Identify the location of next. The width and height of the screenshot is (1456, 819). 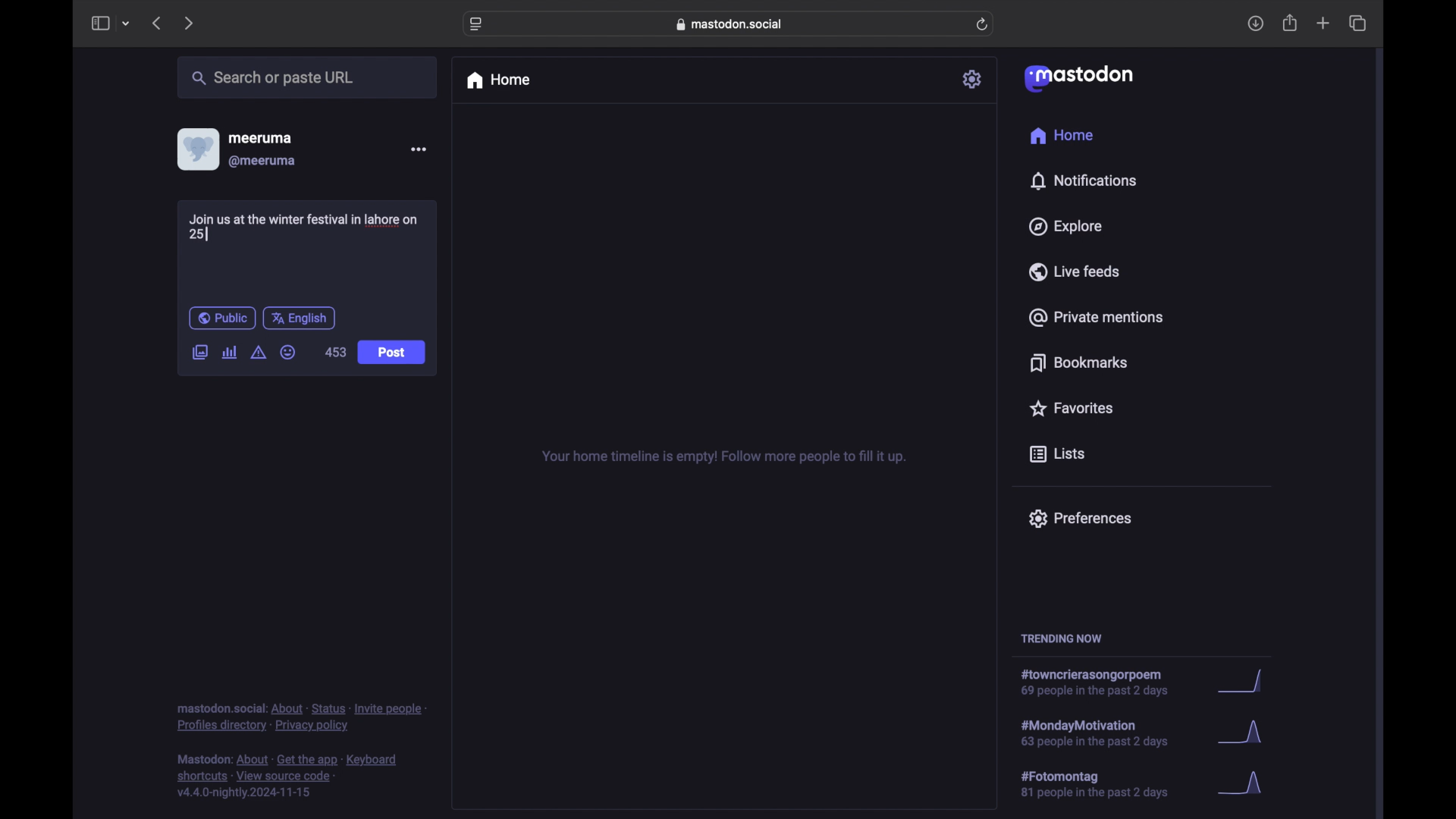
(190, 23).